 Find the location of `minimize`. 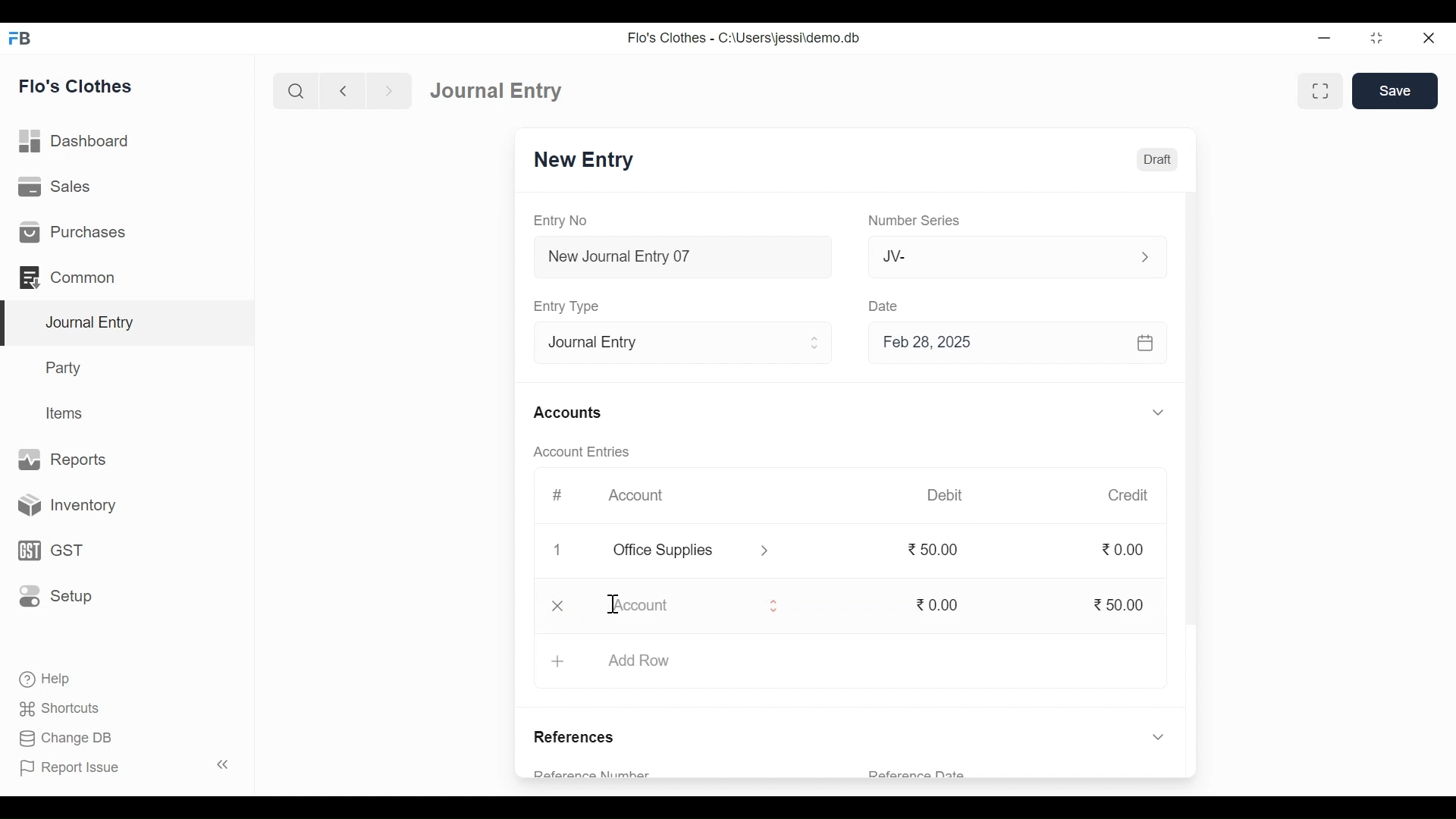

minimize is located at coordinates (1324, 39).